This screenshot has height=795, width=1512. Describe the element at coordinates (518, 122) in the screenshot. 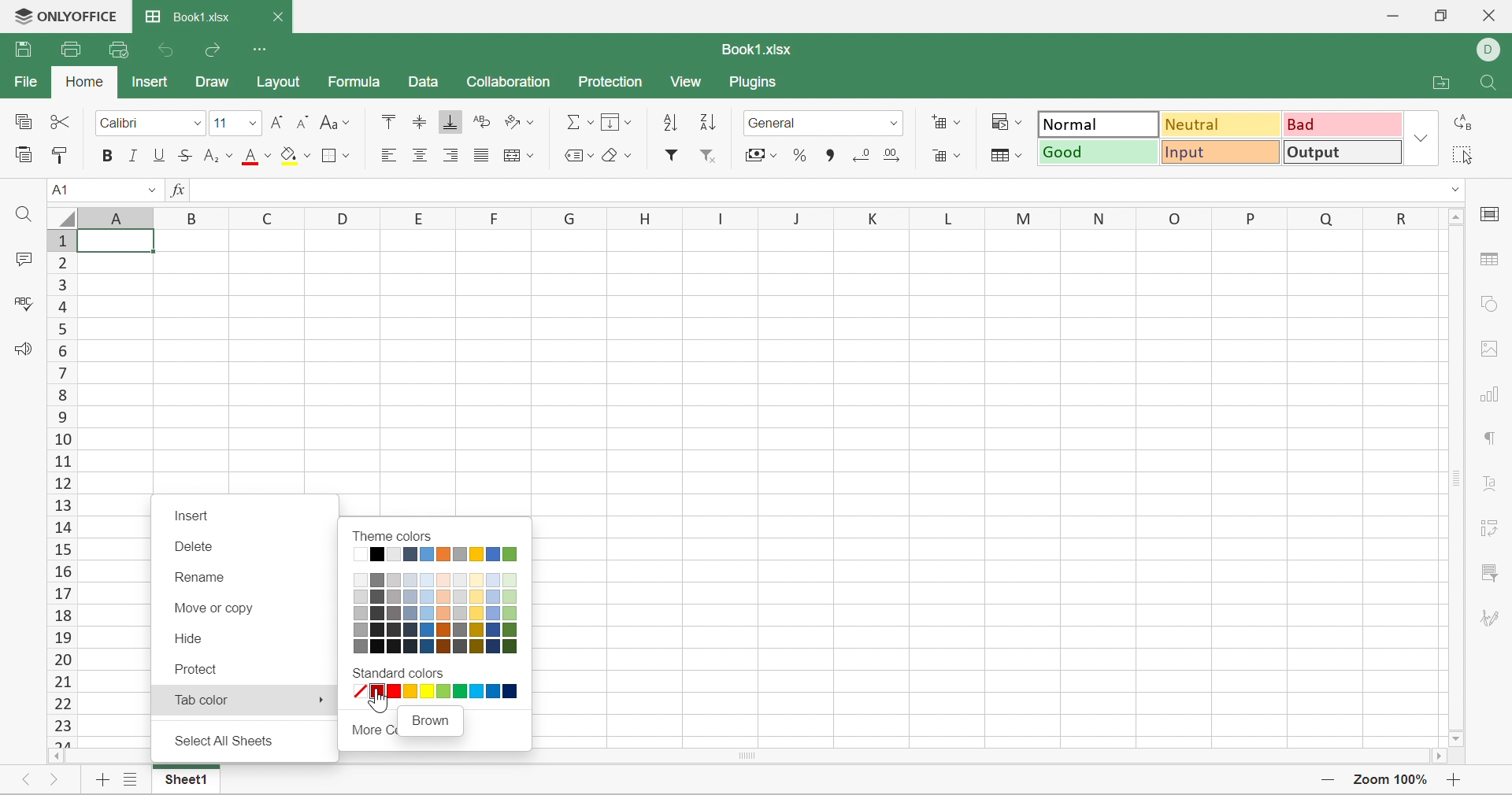

I see `Orientation` at that location.